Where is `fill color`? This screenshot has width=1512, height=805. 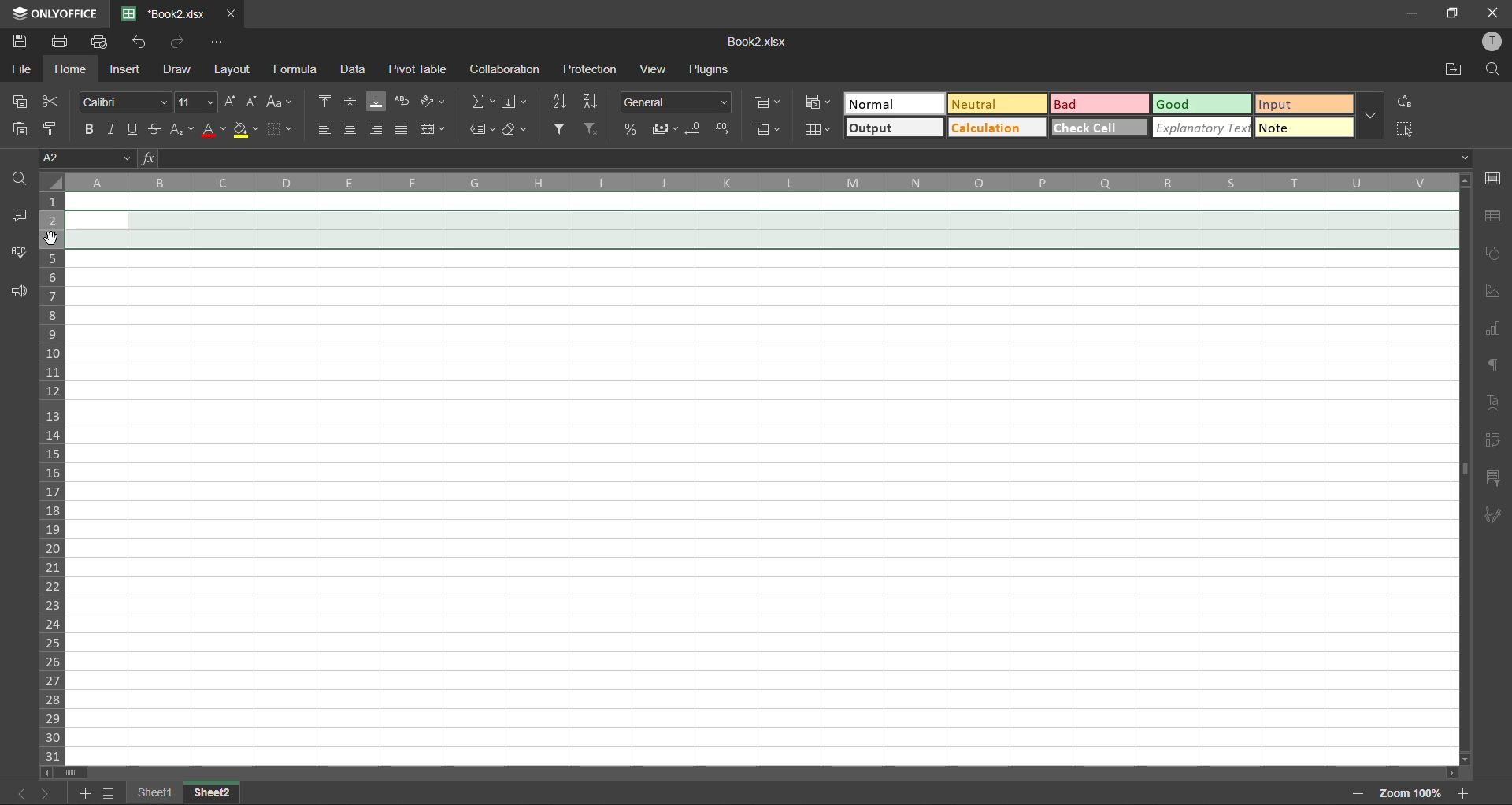 fill color is located at coordinates (245, 132).